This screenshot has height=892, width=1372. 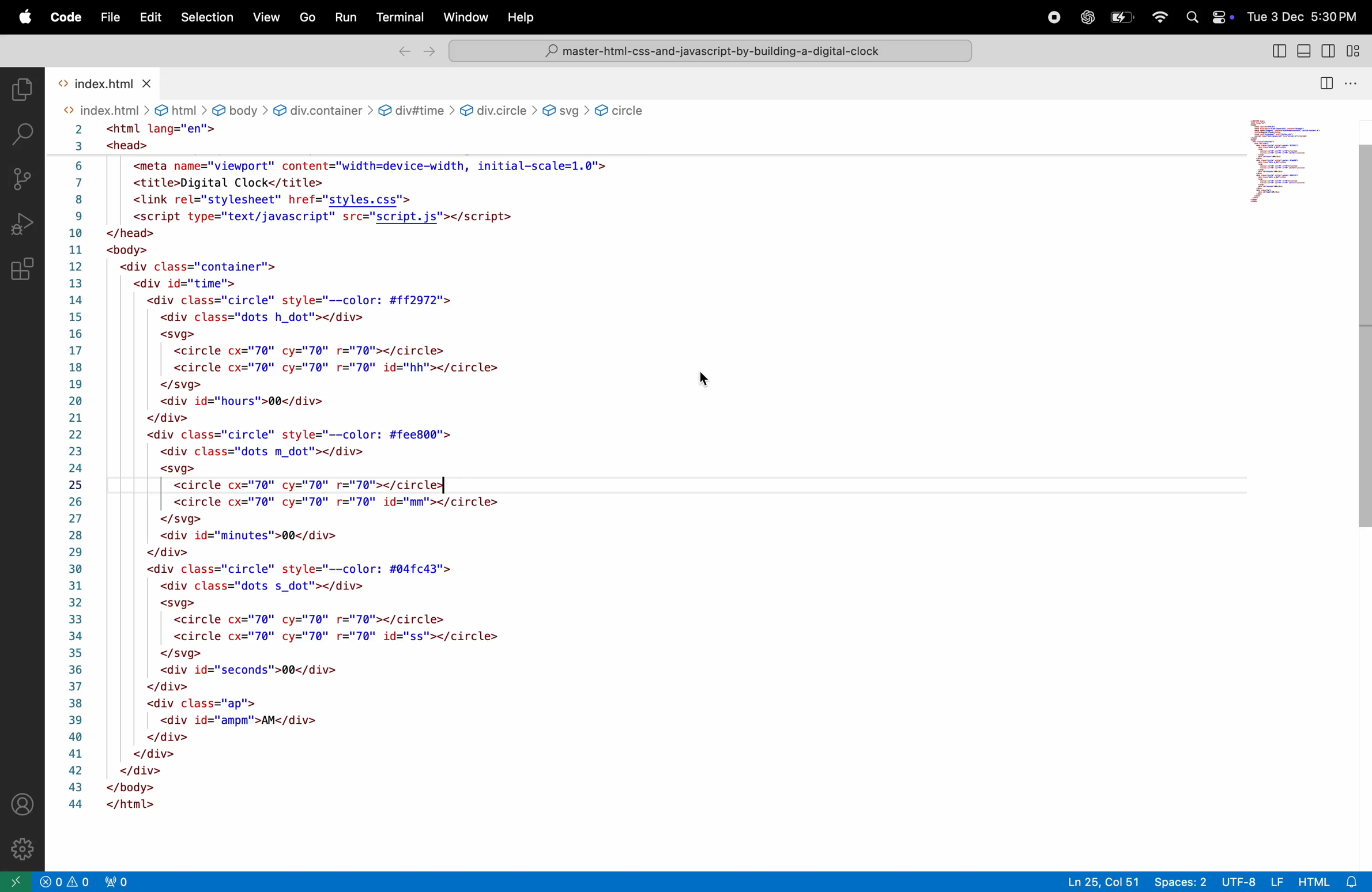 What do you see at coordinates (1103, 880) in the screenshot?
I see `ln 25 col 51` at bounding box center [1103, 880].